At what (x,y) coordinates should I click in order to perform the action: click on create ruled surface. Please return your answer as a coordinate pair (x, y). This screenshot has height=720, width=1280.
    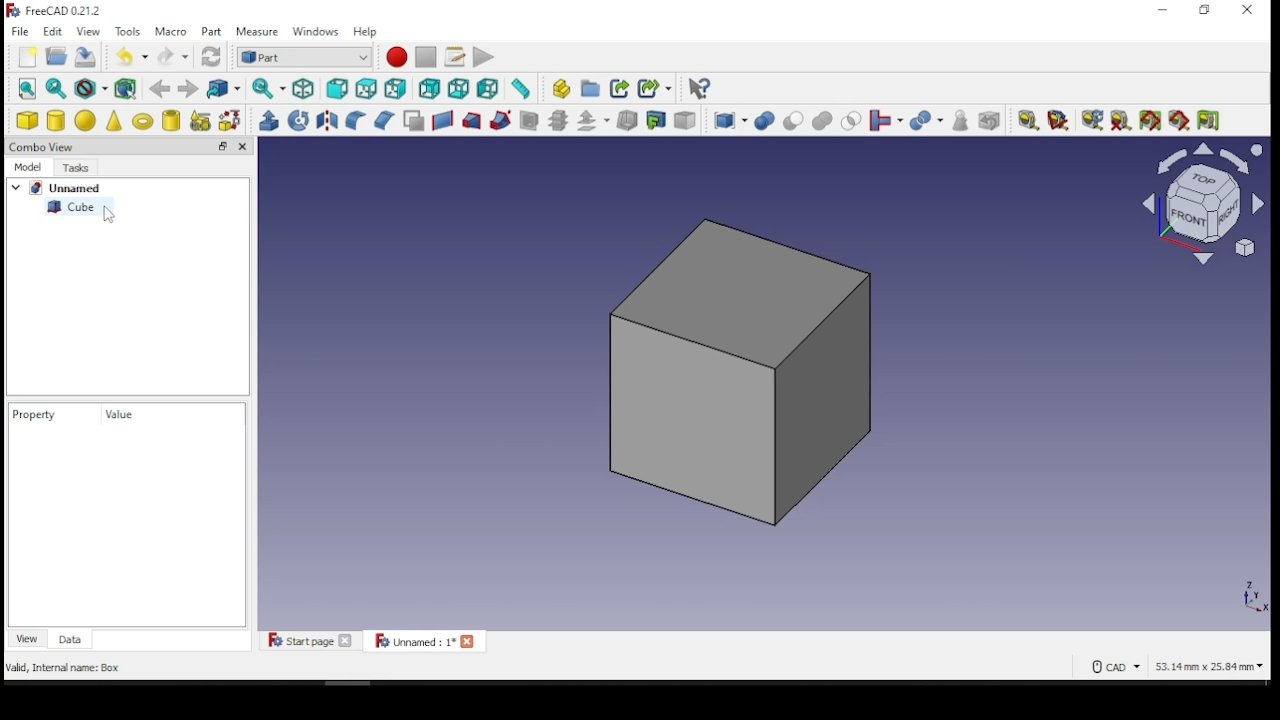
    Looking at the image, I should click on (443, 121).